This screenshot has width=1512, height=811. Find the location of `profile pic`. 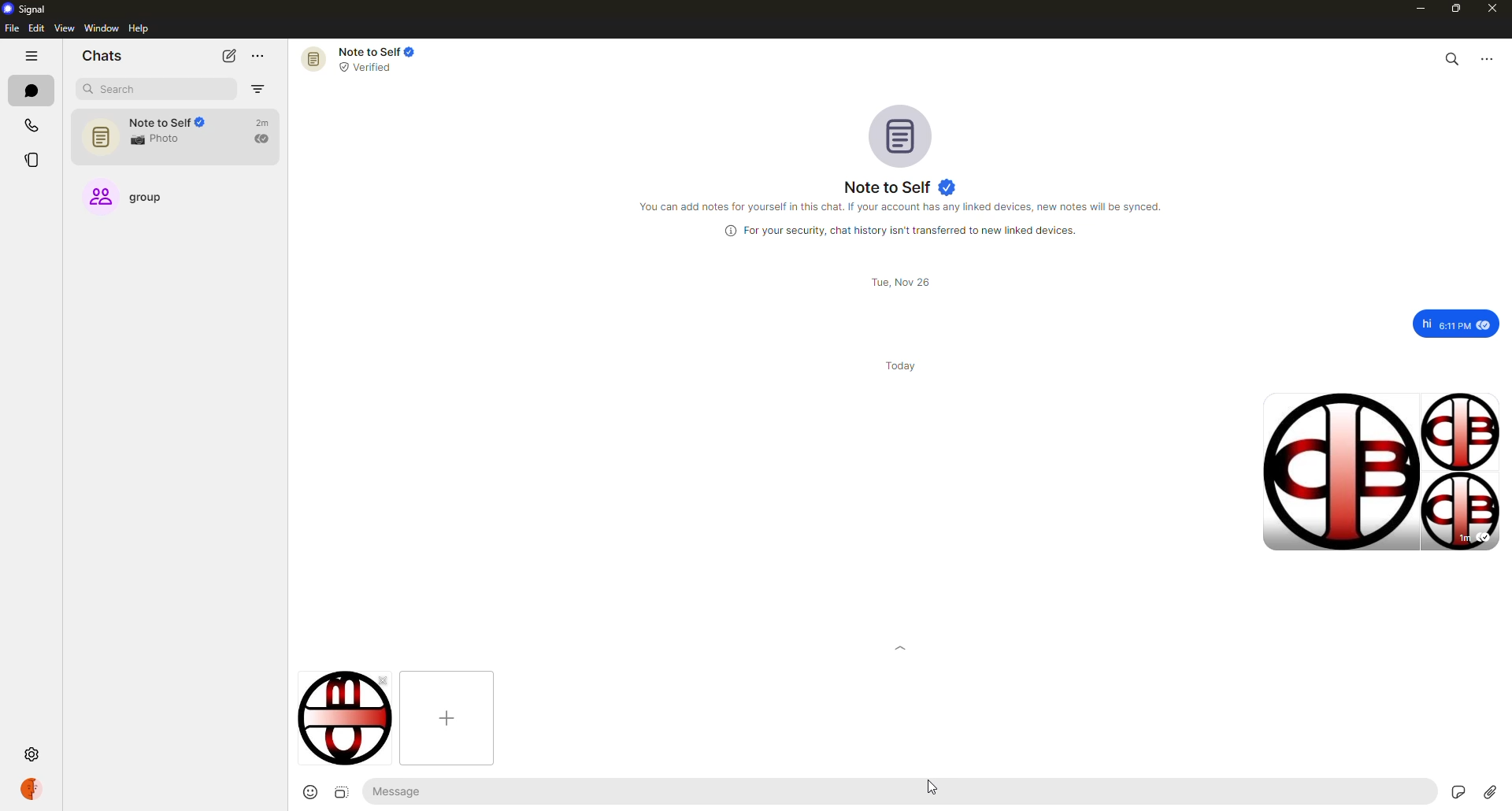

profile pic is located at coordinates (903, 136).